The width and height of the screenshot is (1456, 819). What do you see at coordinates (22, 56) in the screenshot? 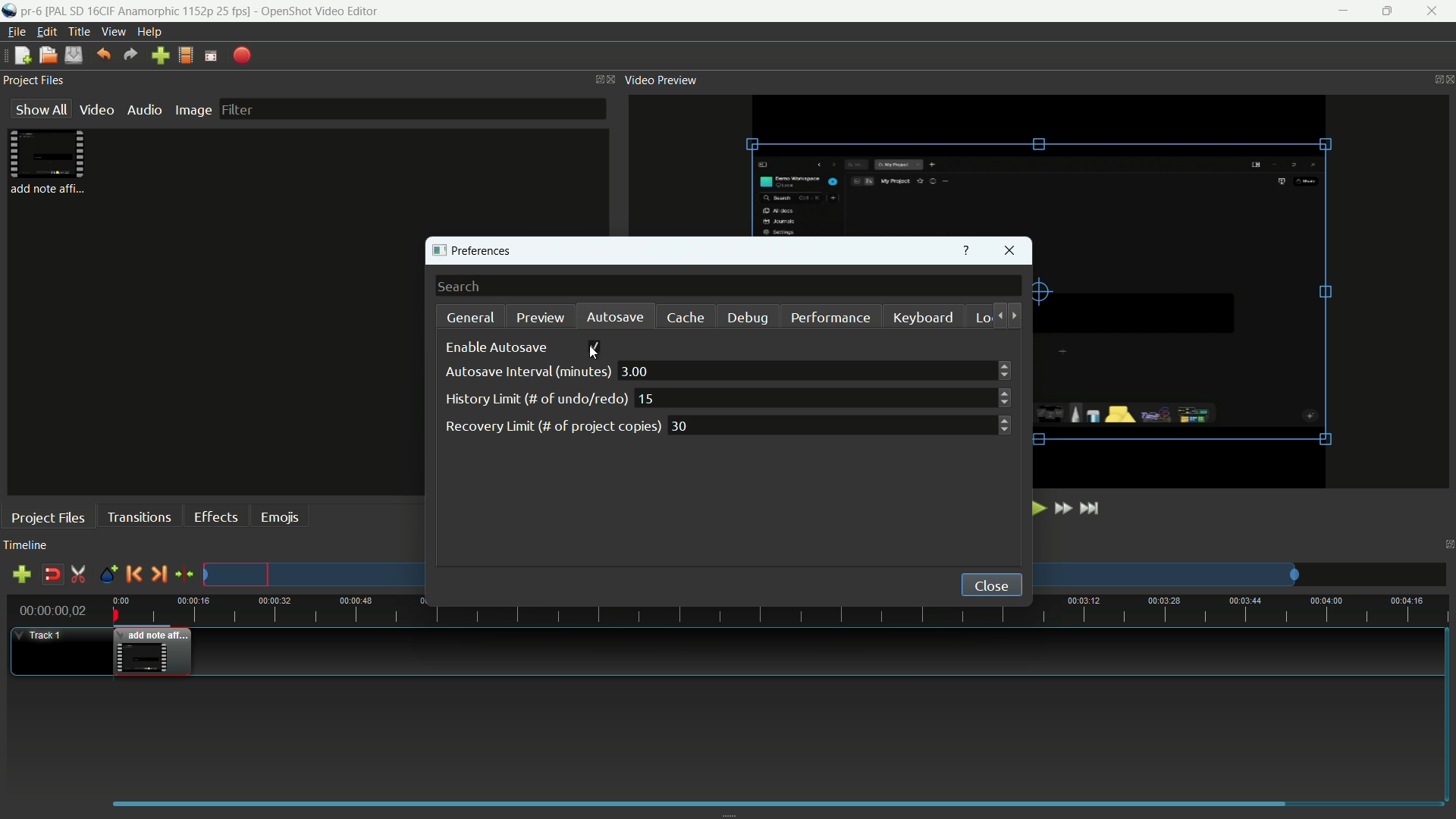
I see `new file` at bounding box center [22, 56].